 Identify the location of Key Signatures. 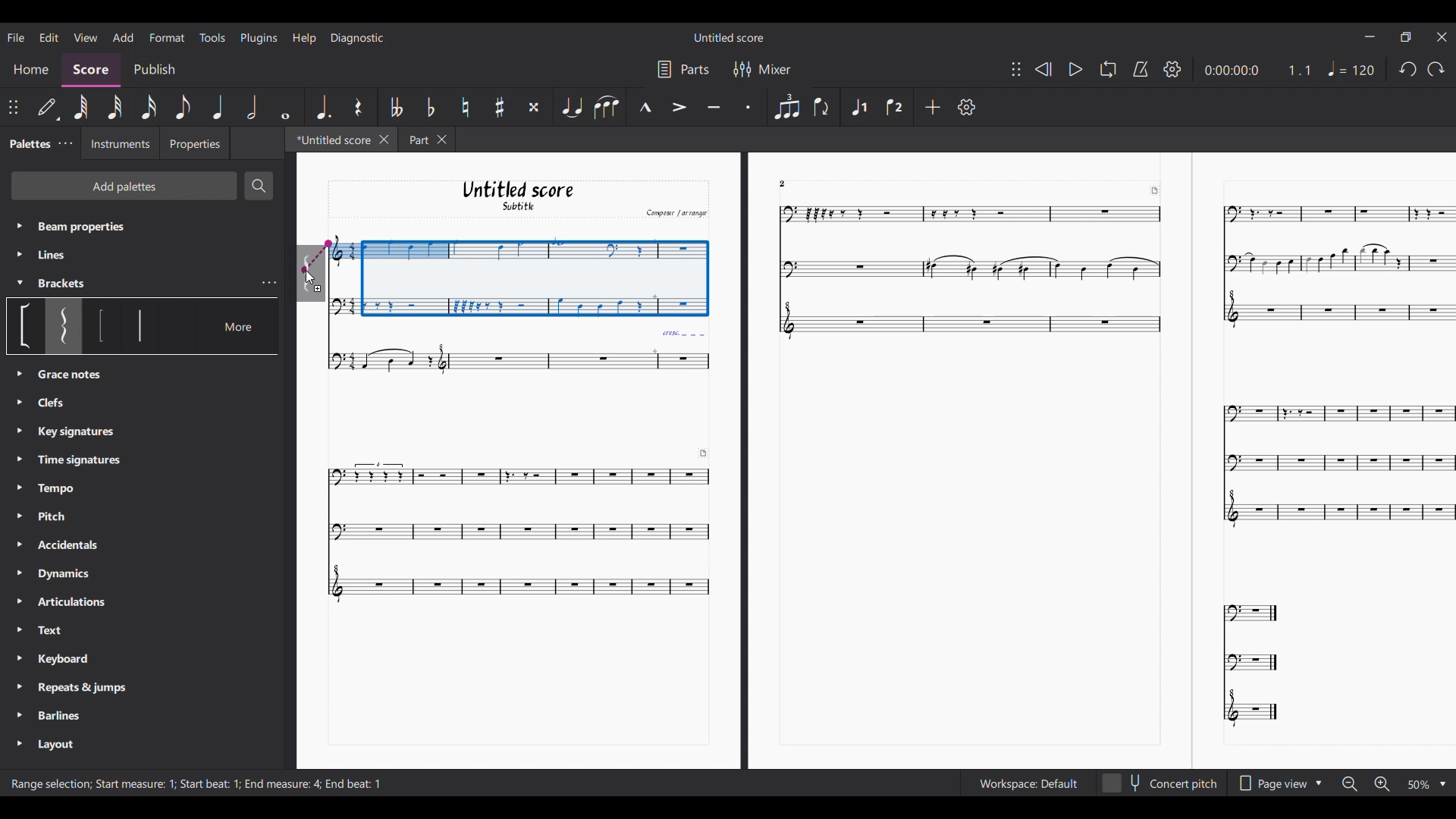
(76, 433).